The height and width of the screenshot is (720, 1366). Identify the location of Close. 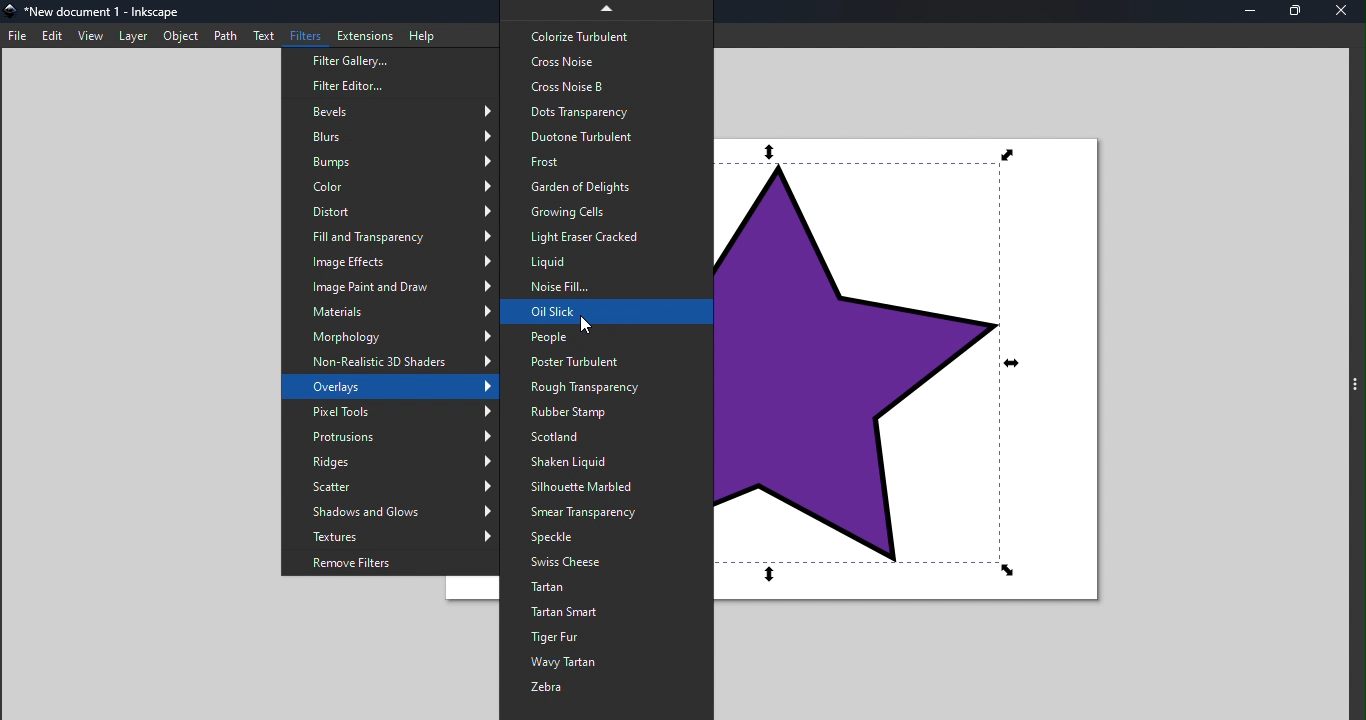
(1343, 14).